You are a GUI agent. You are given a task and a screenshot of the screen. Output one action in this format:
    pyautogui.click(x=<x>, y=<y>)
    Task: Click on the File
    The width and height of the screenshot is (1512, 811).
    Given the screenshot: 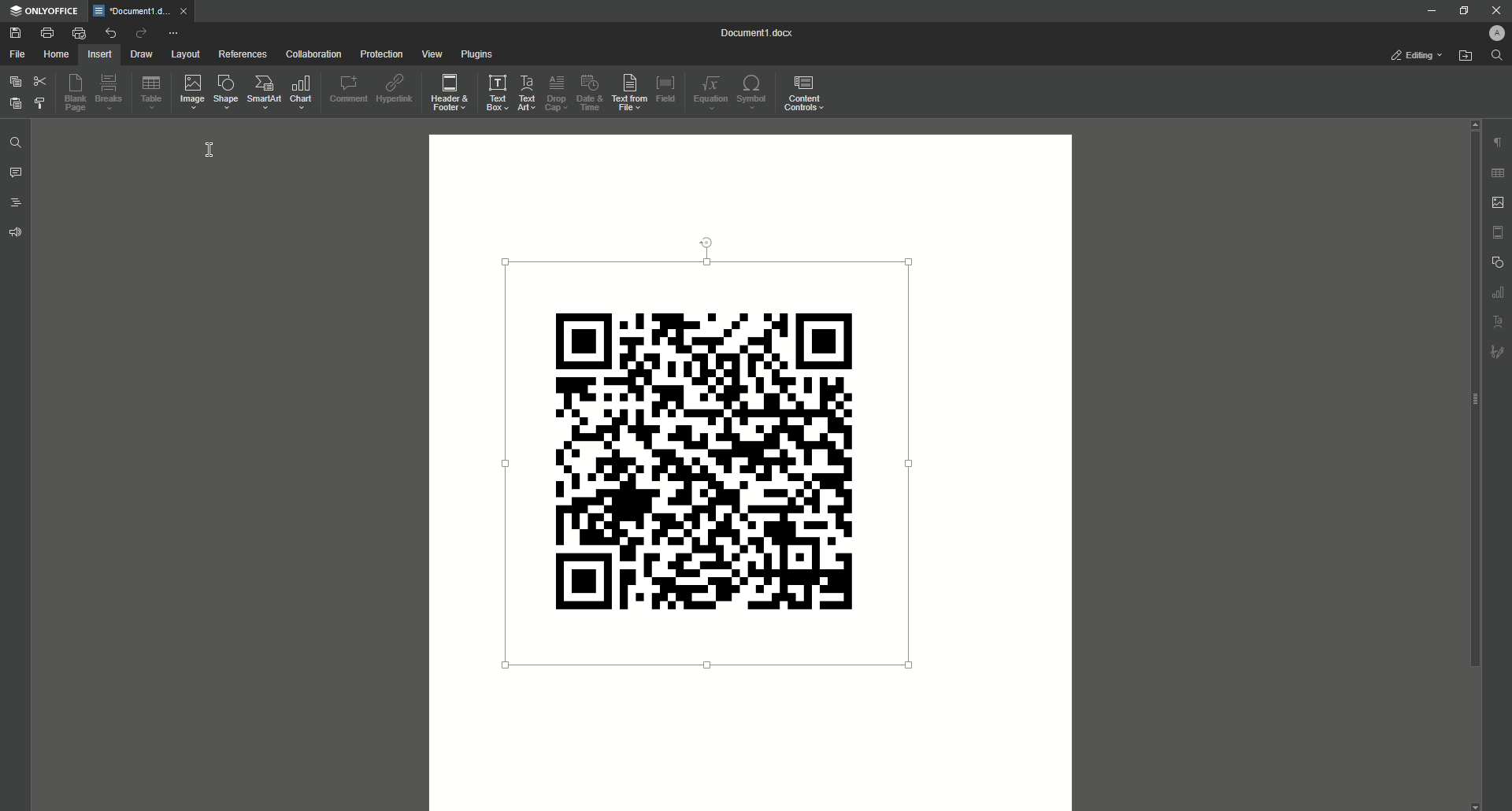 What is the action you would take?
    pyautogui.click(x=17, y=55)
    